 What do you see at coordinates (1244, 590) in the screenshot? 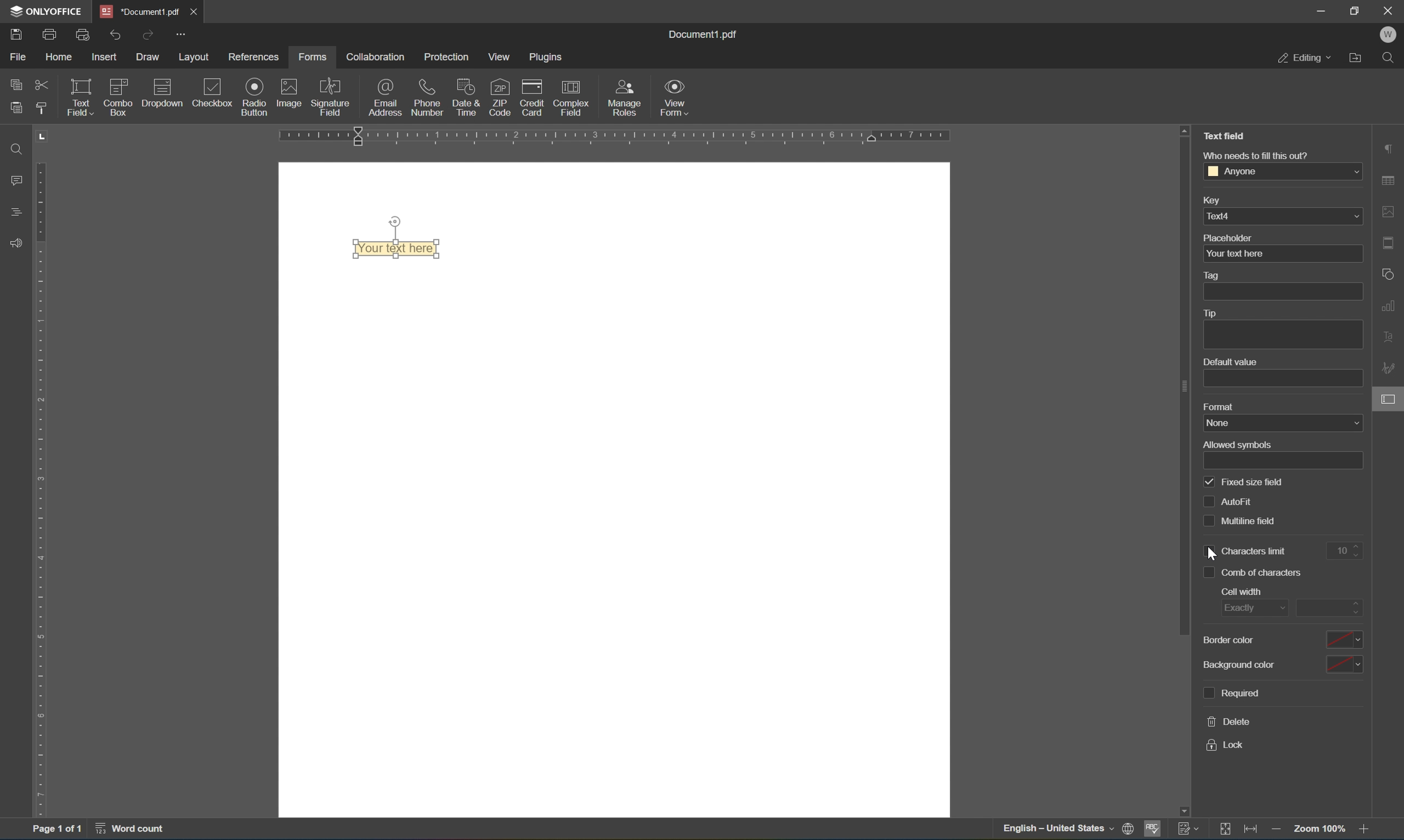
I see `cell width` at bounding box center [1244, 590].